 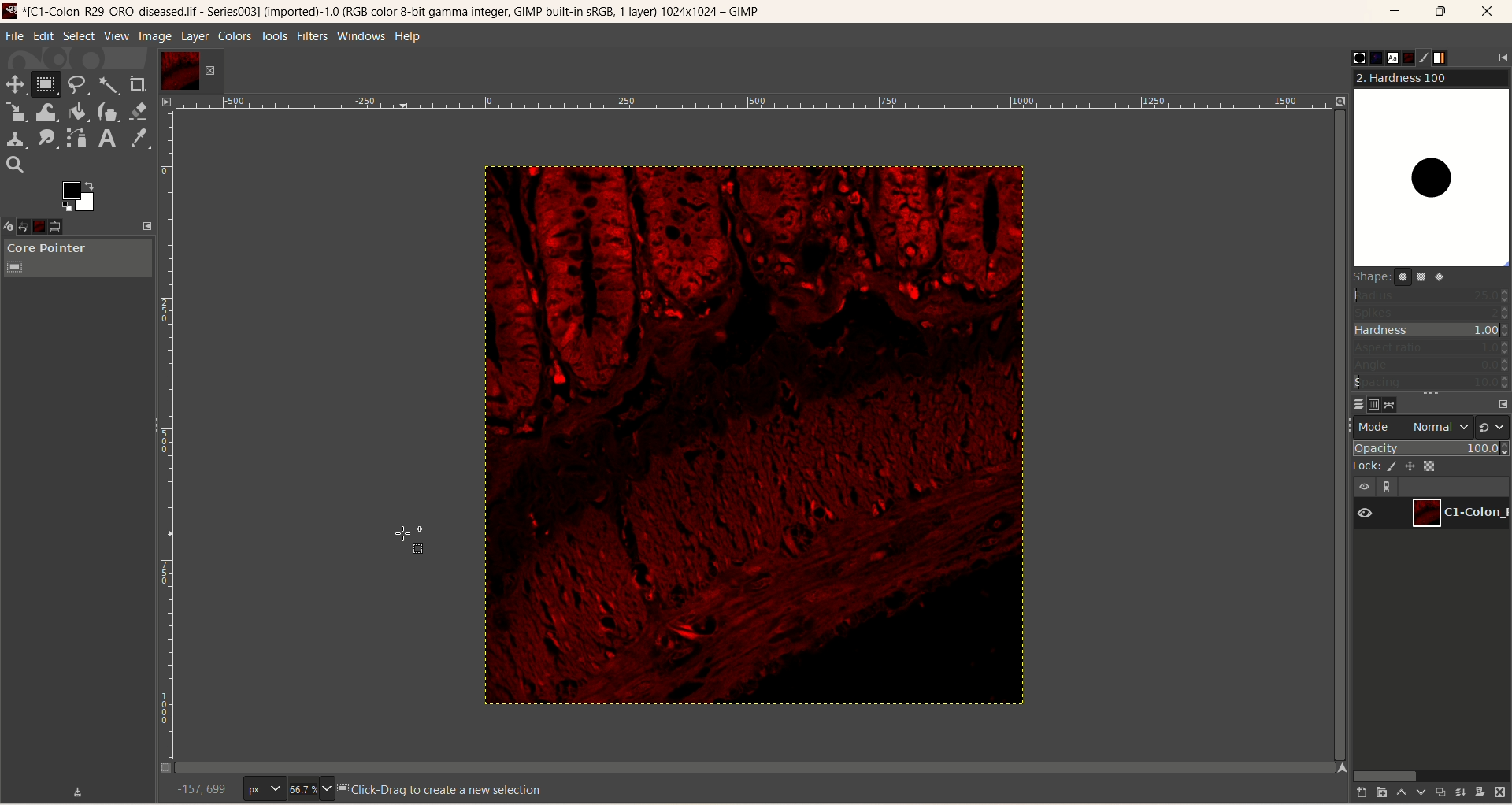 What do you see at coordinates (1407, 57) in the screenshot?
I see `document history` at bounding box center [1407, 57].